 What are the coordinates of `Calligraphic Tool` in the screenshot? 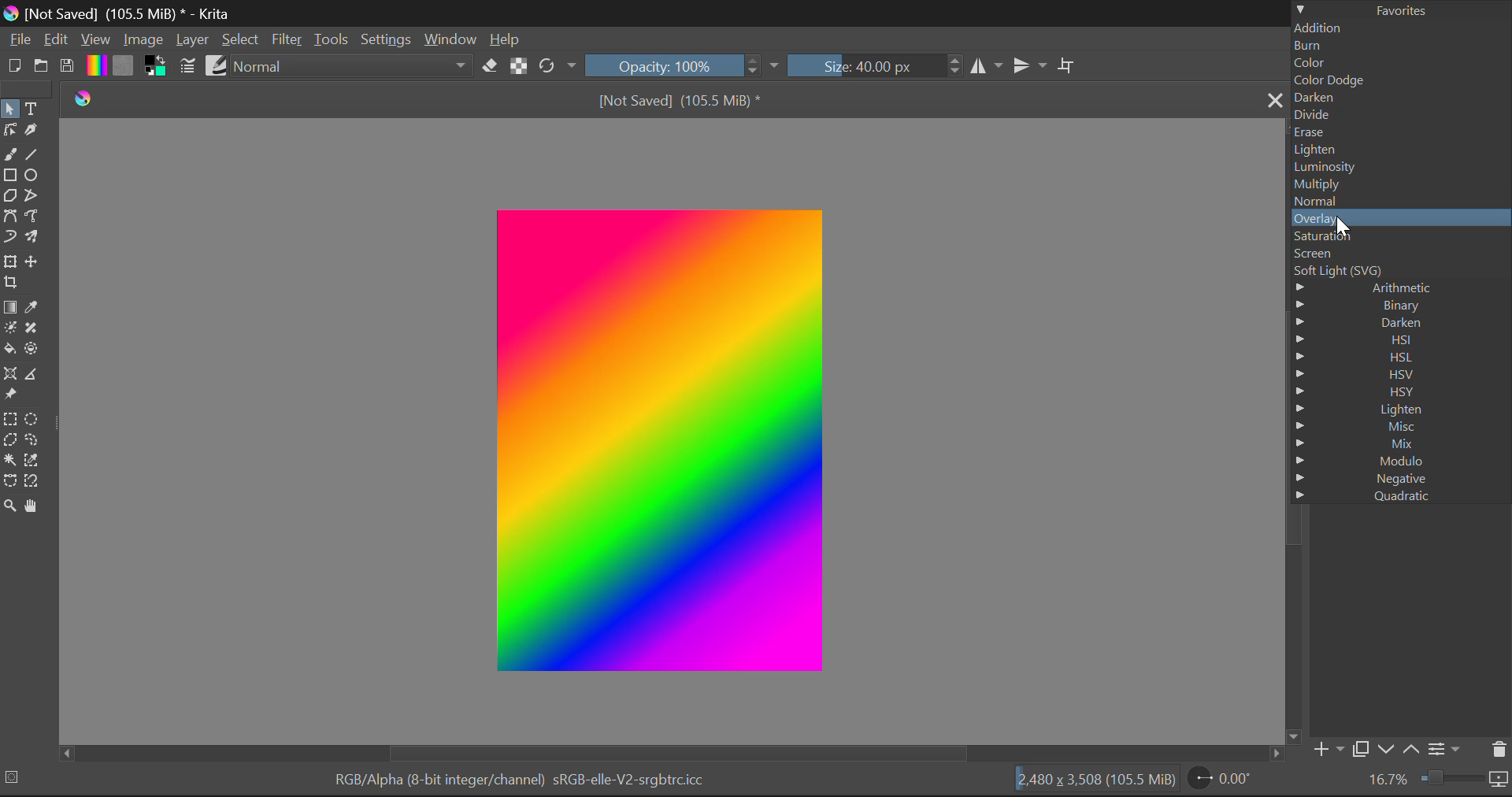 It's located at (36, 130).